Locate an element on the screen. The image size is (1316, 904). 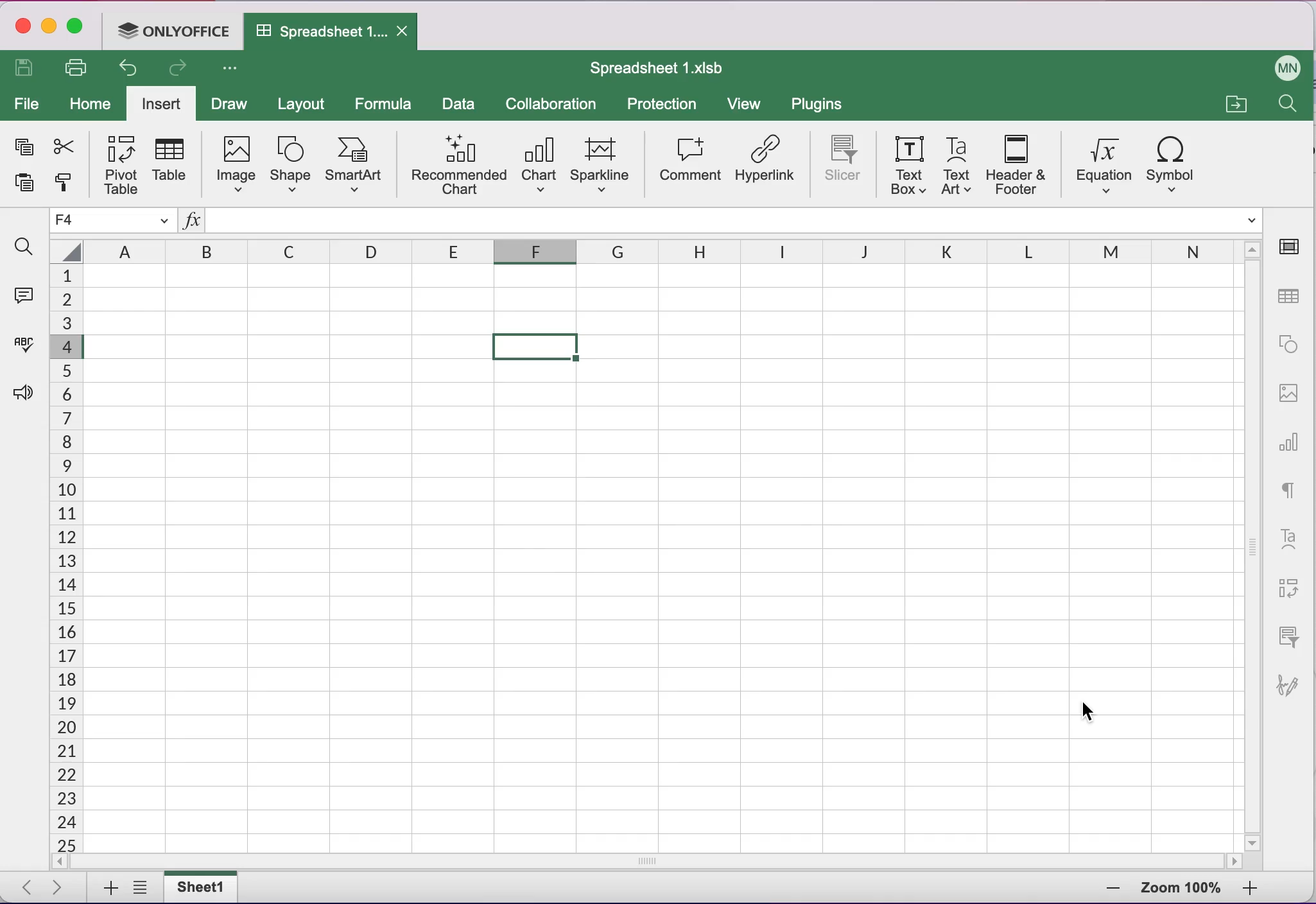
backwards is located at coordinates (126, 70).